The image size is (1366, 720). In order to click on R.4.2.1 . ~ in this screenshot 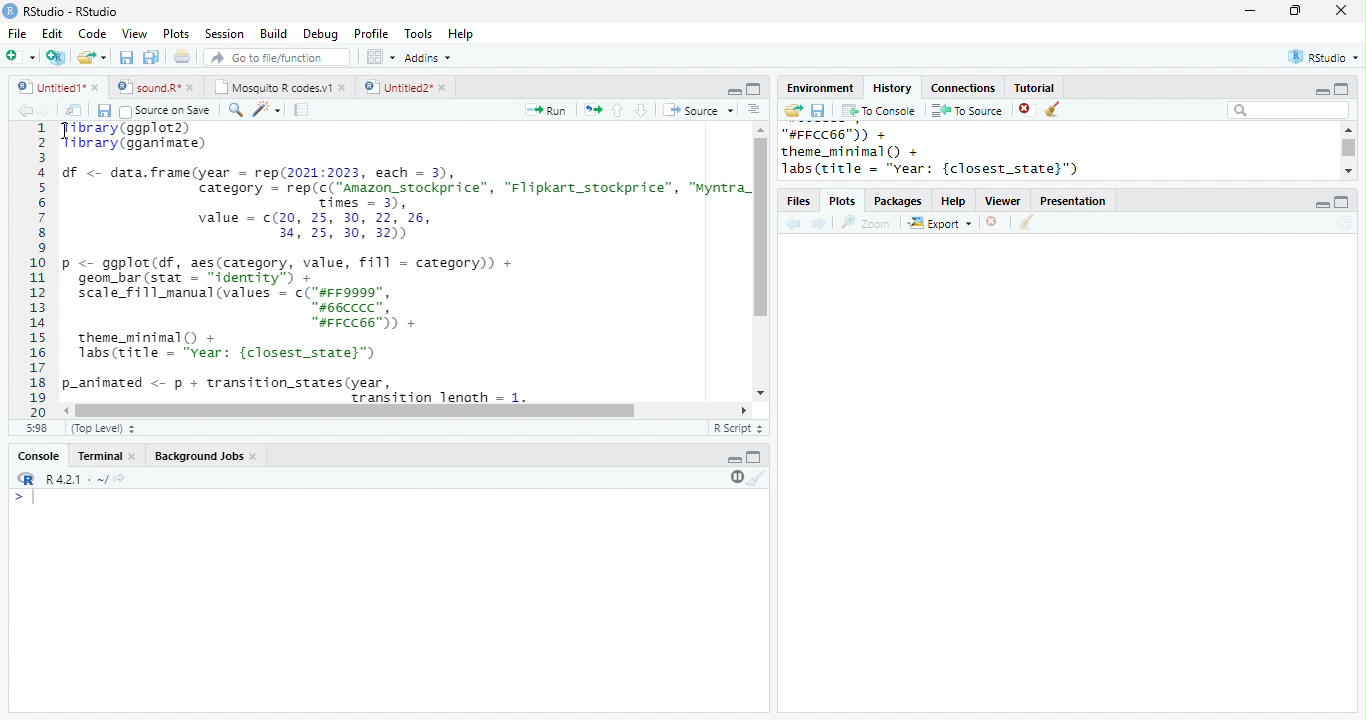, I will do `click(75, 478)`.